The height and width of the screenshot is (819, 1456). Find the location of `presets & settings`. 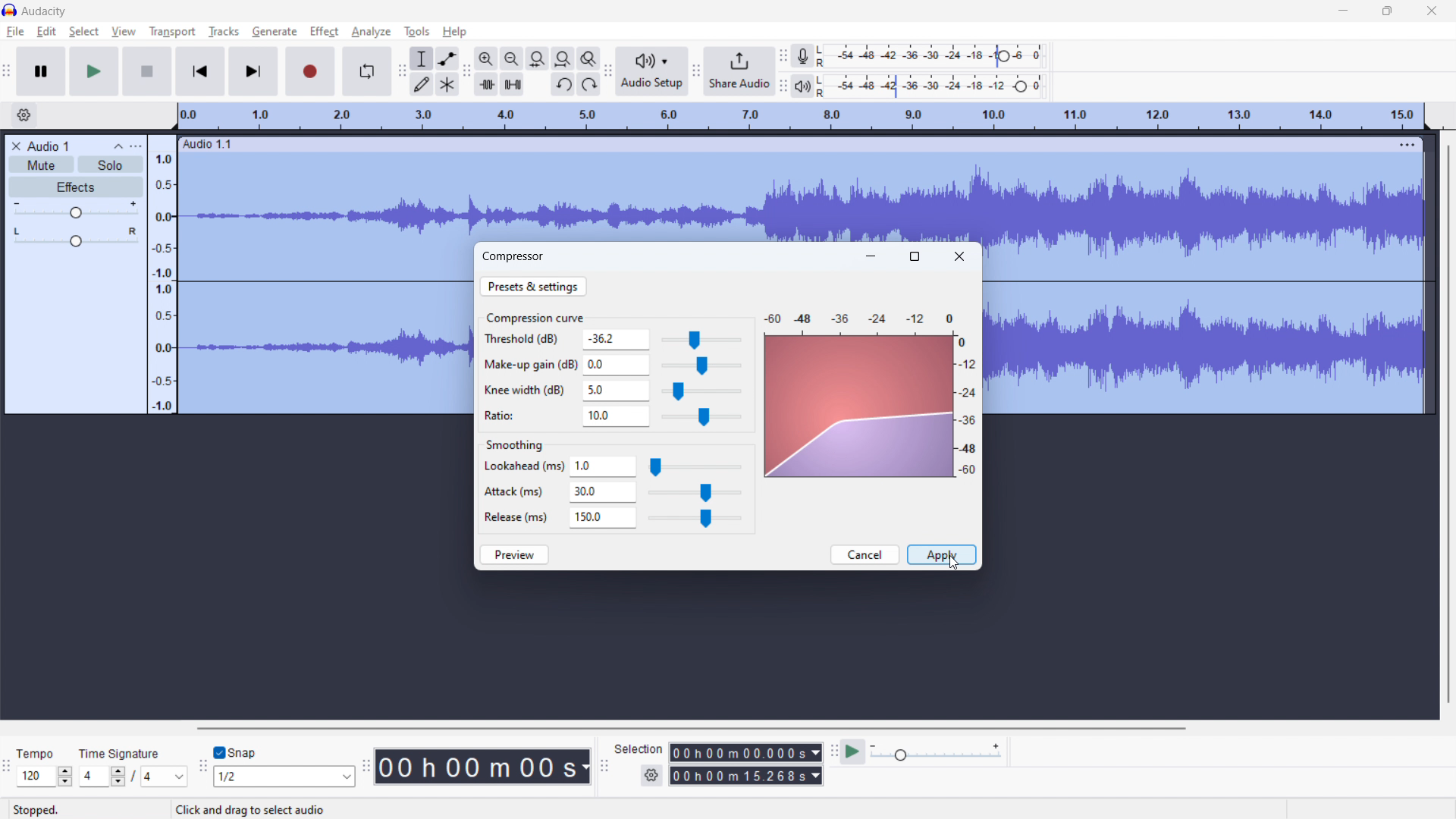

presets & settings is located at coordinates (533, 286).